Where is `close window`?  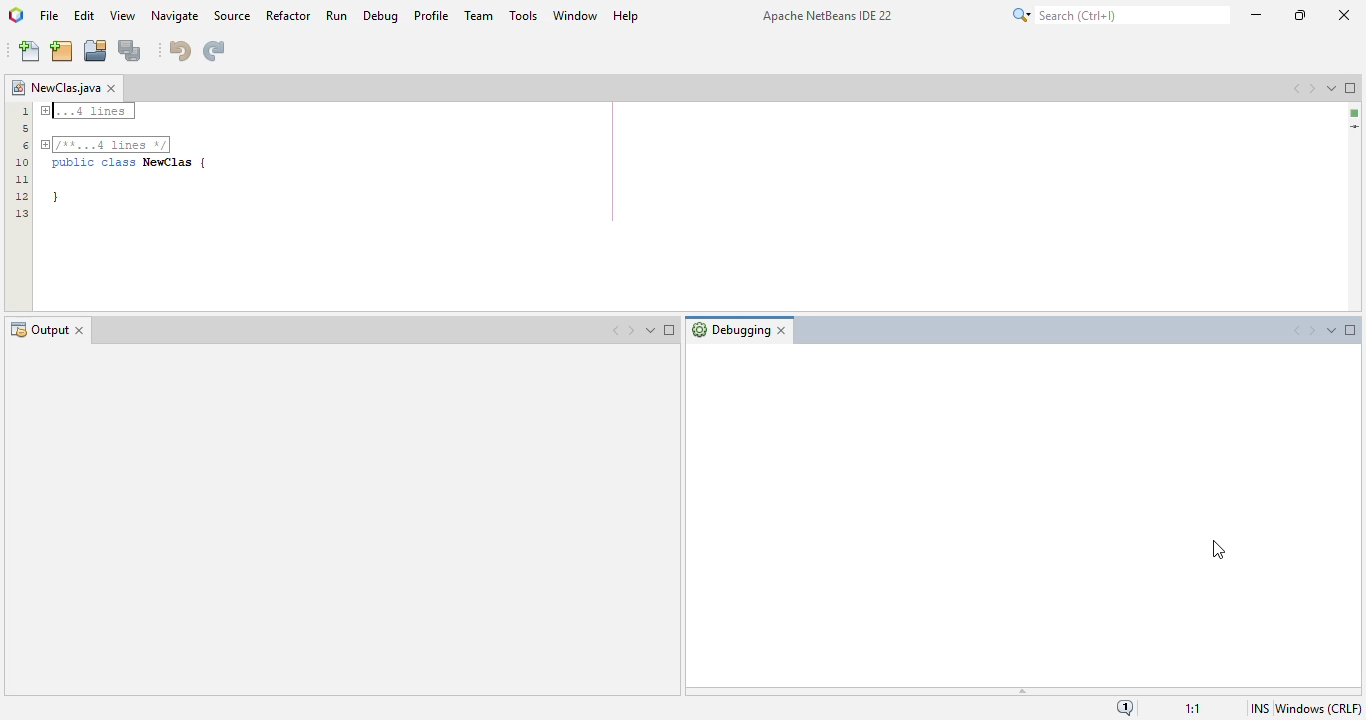 close window is located at coordinates (115, 88).